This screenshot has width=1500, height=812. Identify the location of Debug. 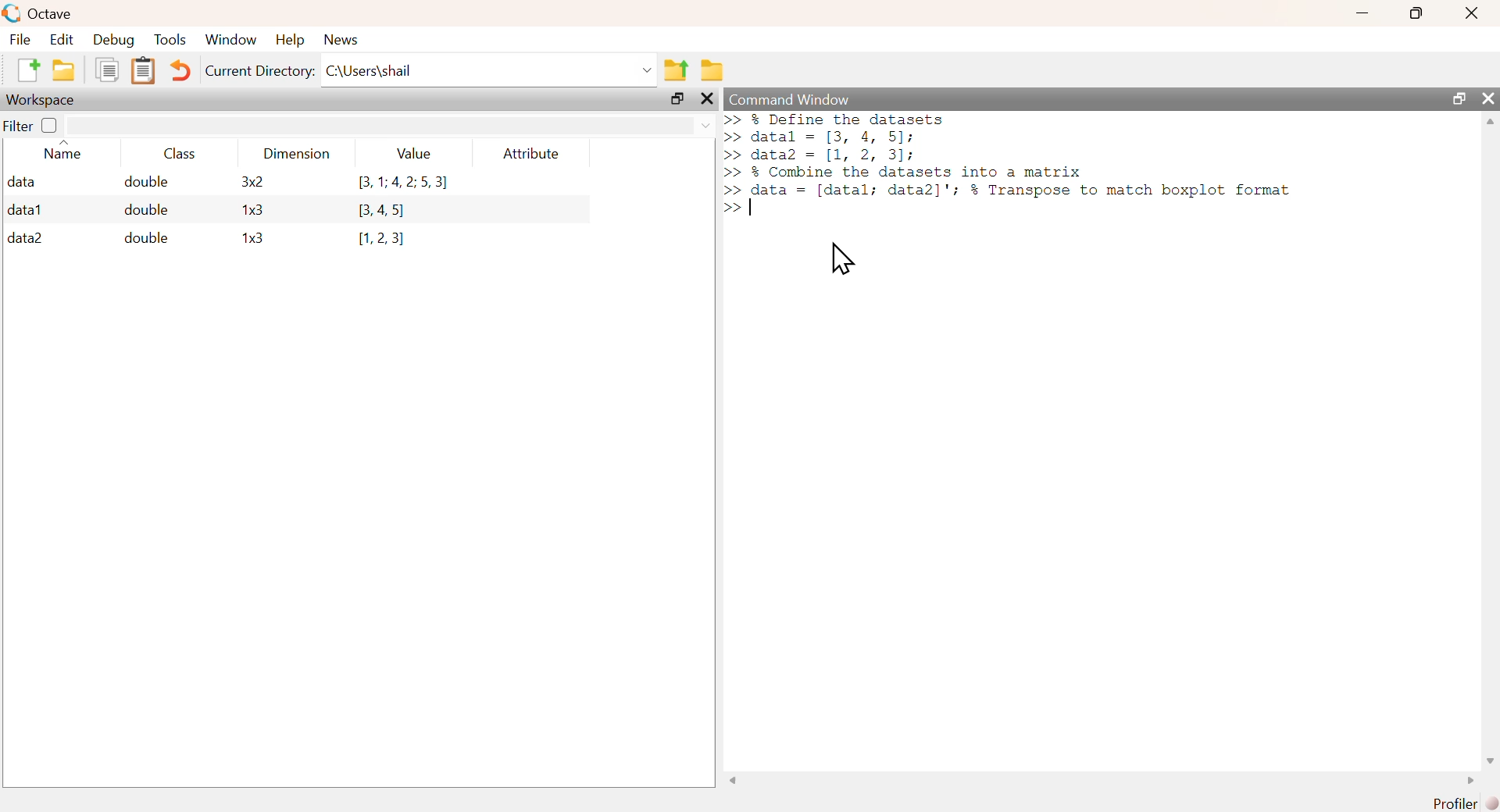
(114, 40).